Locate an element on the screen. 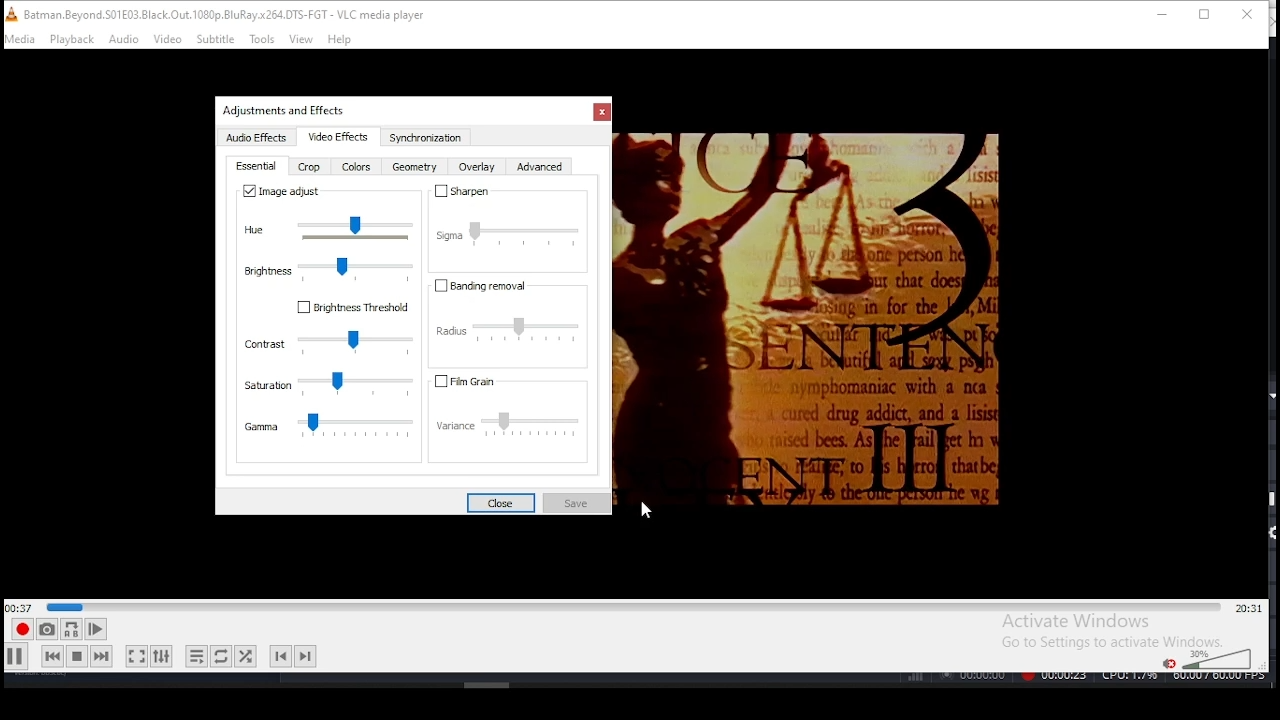  seek bar is located at coordinates (633, 605).